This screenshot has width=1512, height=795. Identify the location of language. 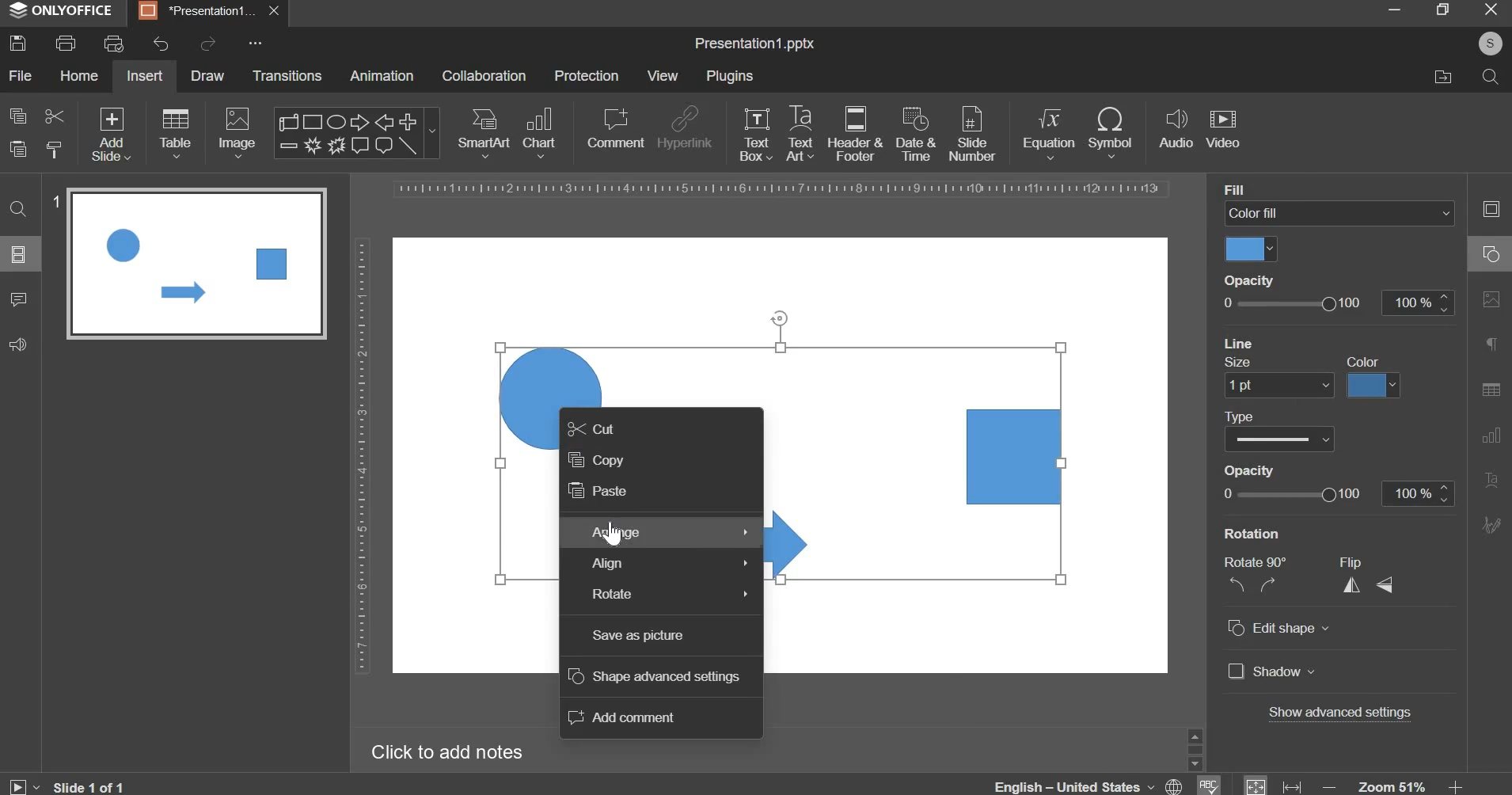
(1091, 787).